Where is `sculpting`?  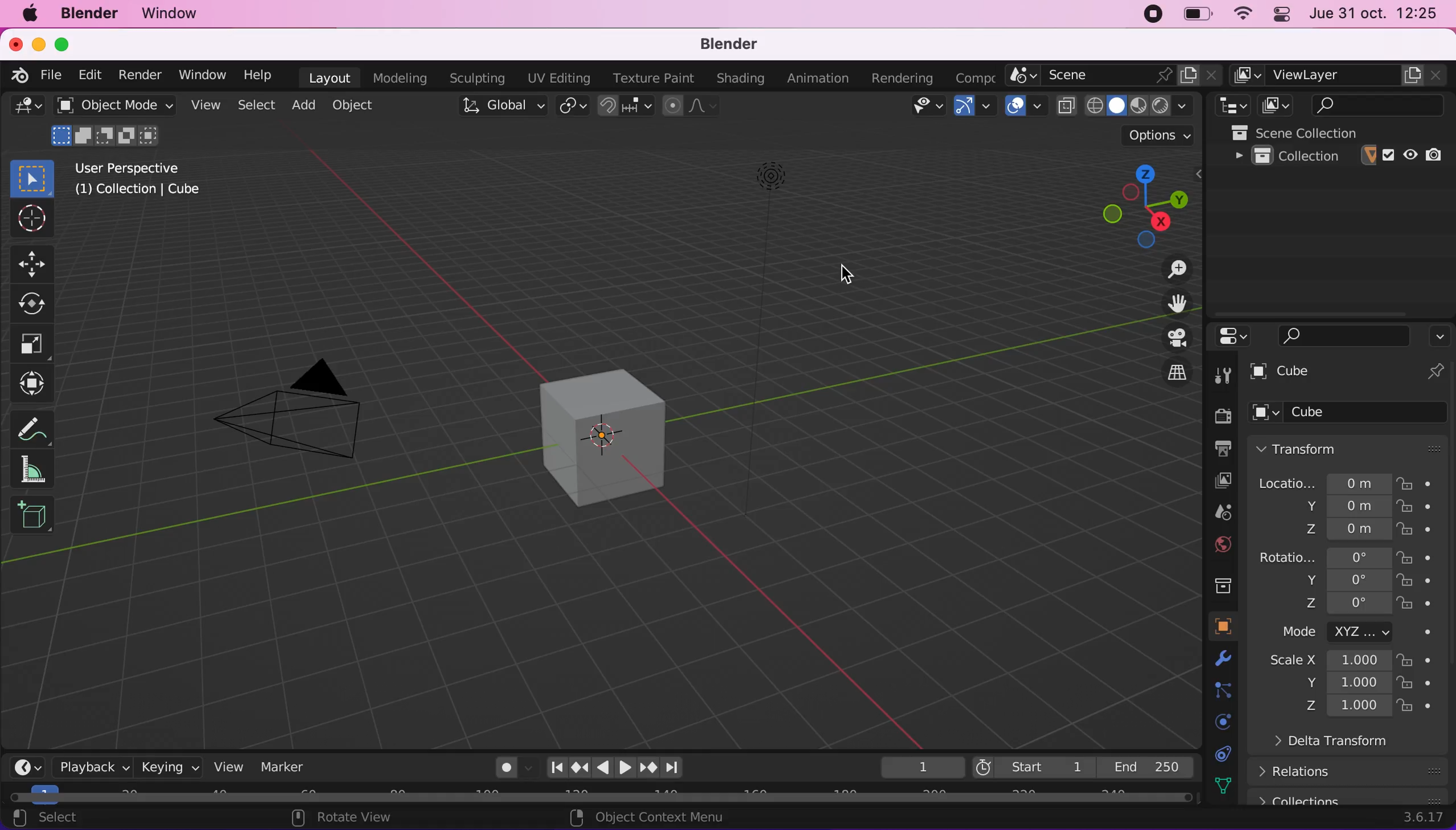 sculpting is located at coordinates (476, 79).